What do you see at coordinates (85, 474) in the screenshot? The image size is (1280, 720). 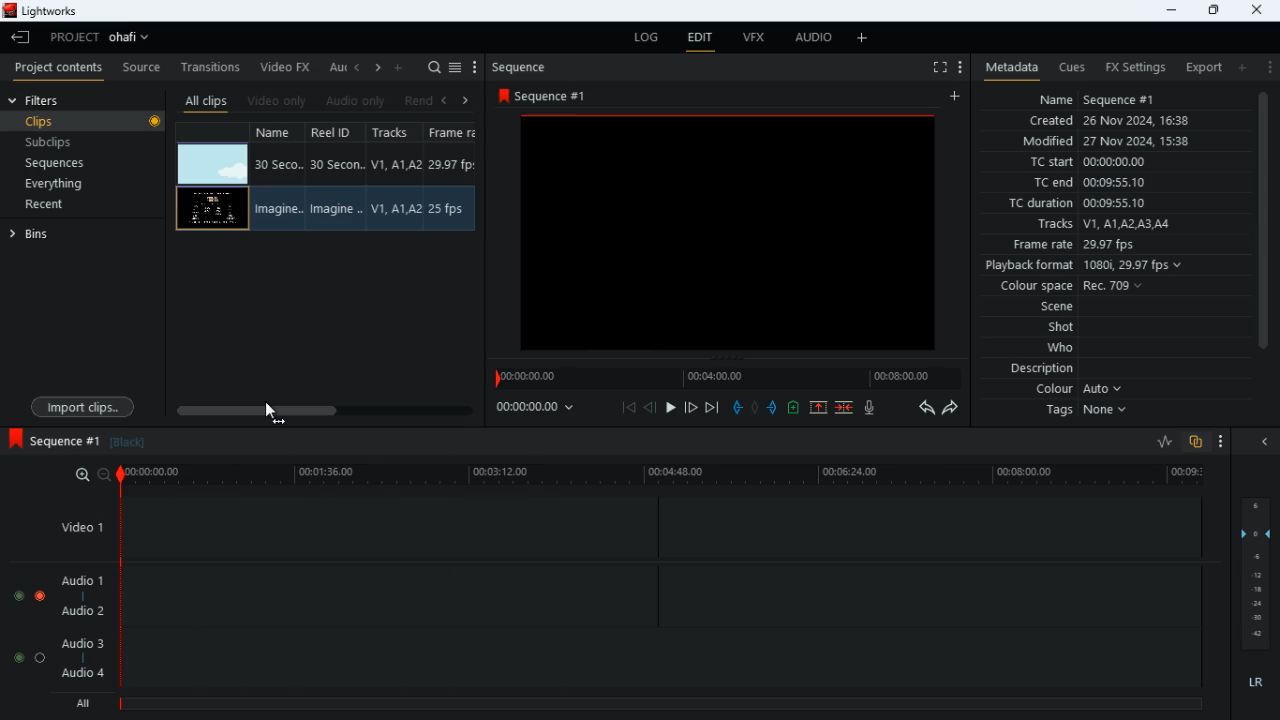 I see `zoom` at bounding box center [85, 474].